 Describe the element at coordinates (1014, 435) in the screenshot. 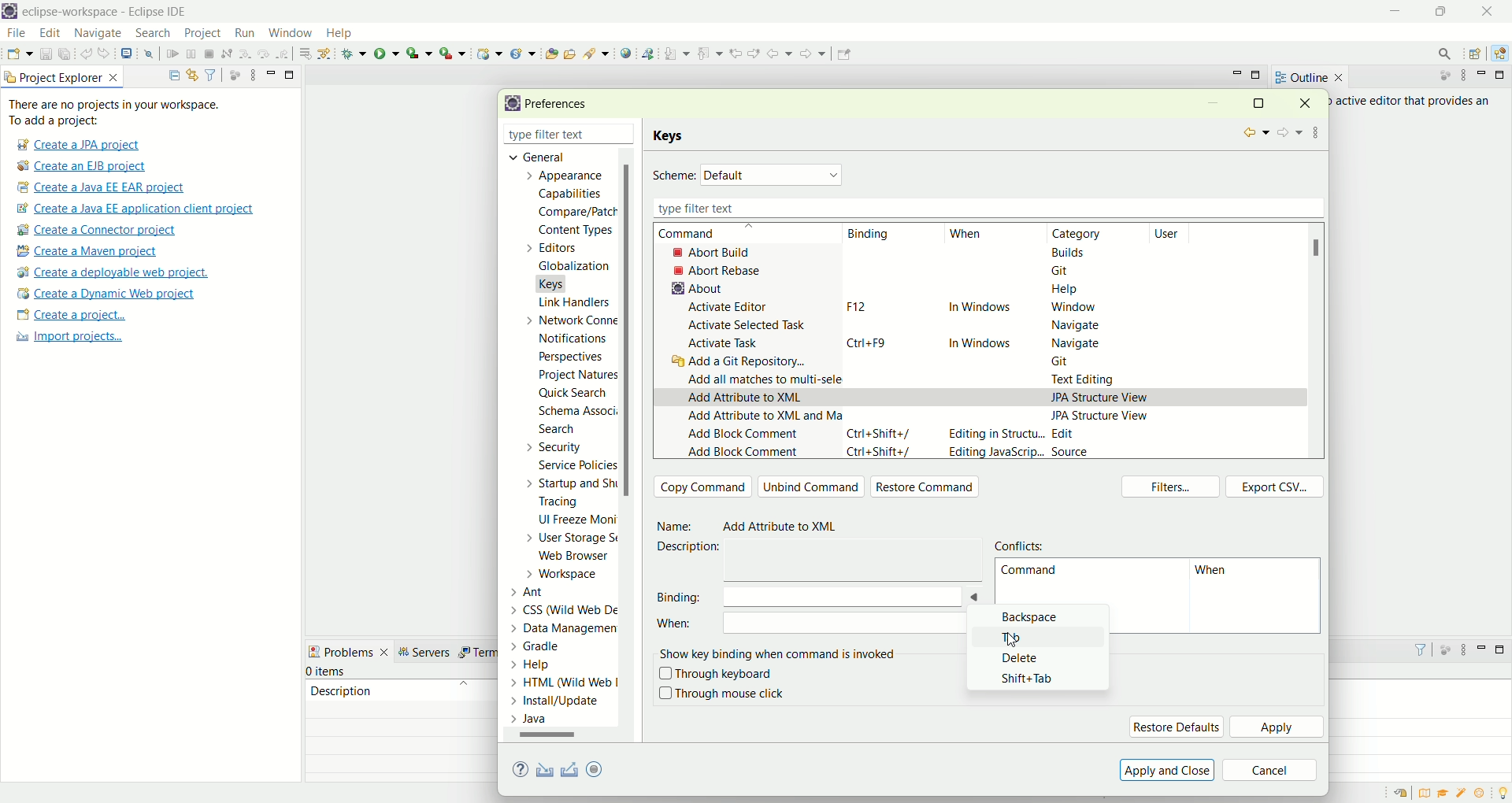

I see `editing in structure...Edit` at that location.